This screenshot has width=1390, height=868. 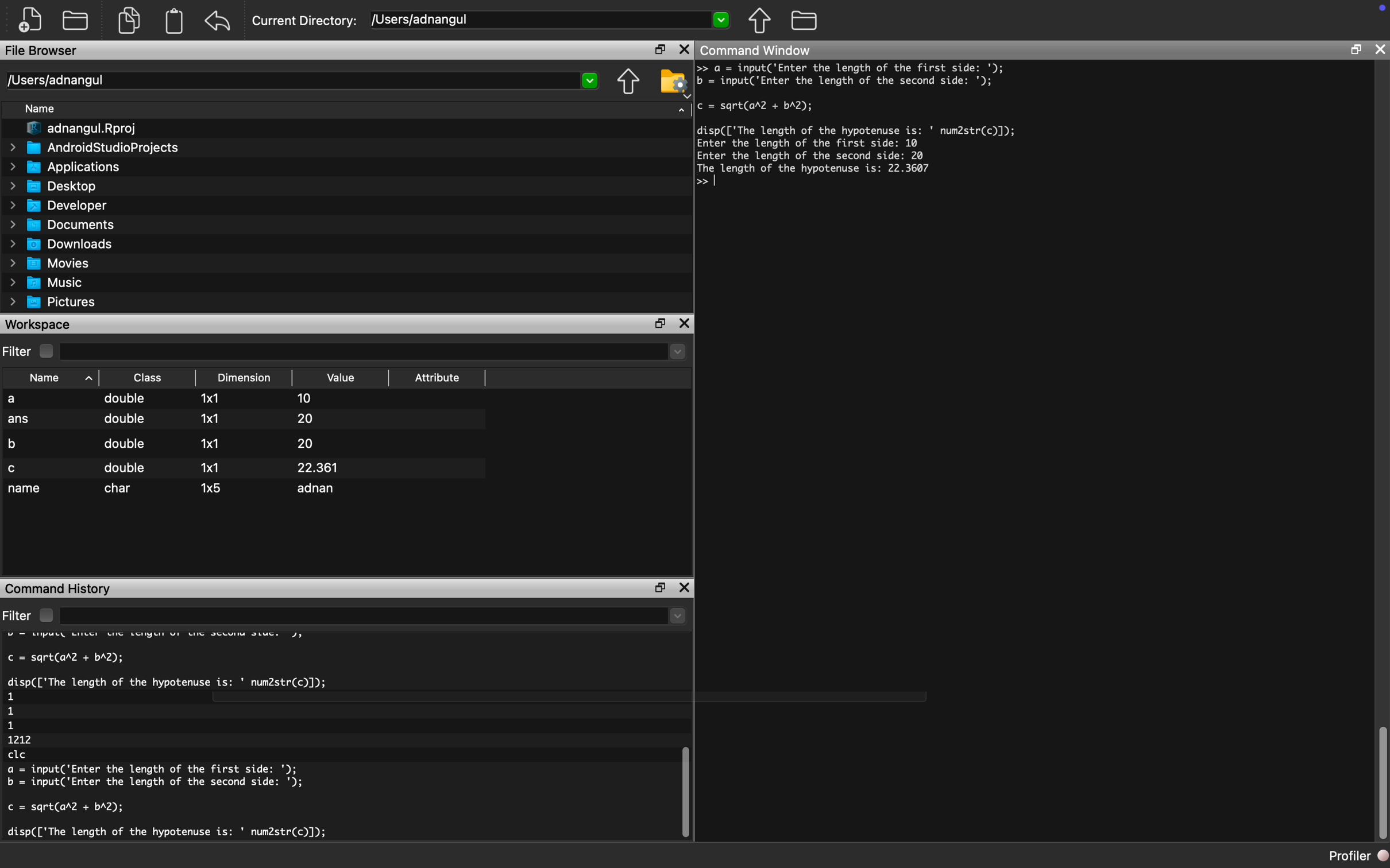 What do you see at coordinates (320, 490) in the screenshot?
I see `adnan` at bounding box center [320, 490].